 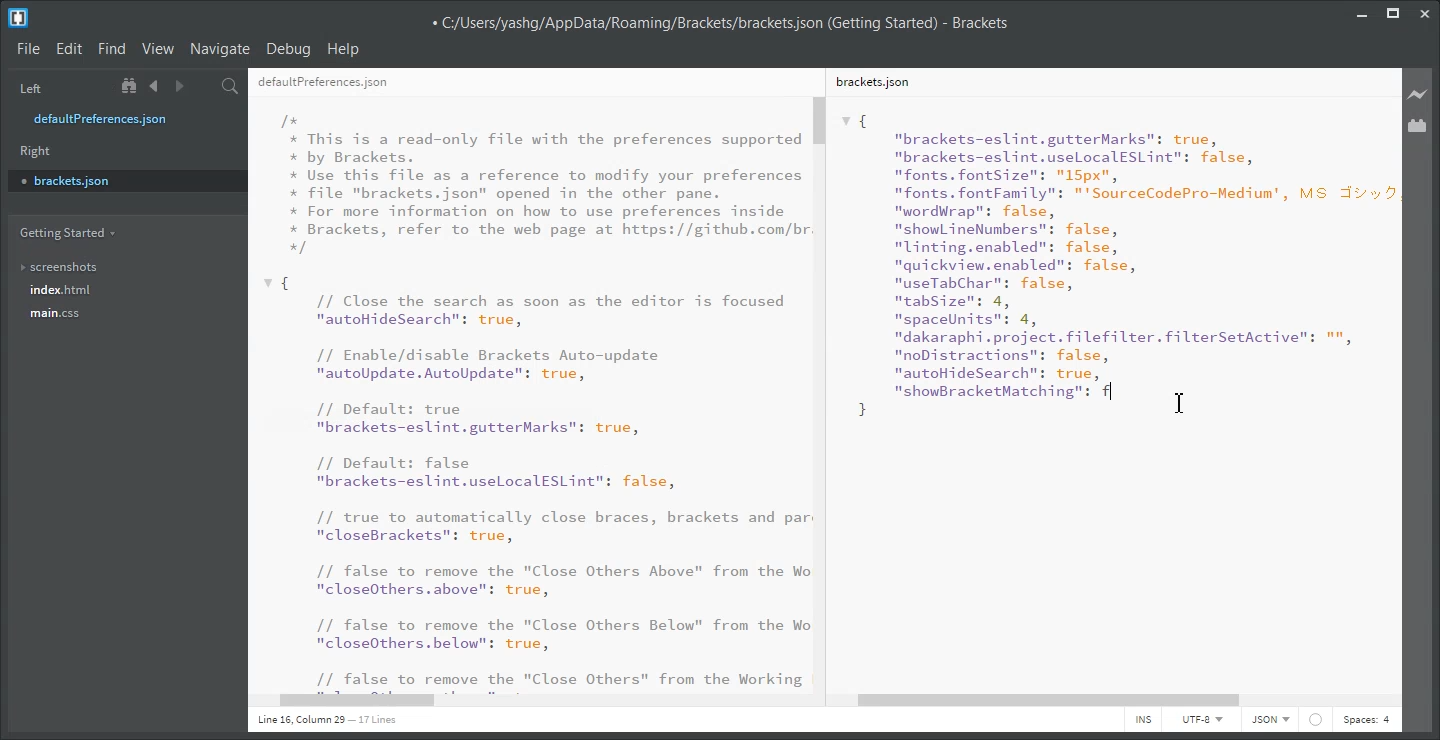 What do you see at coordinates (154, 86) in the screenshot?
I see `Navigate Backward` at bounding box center [154, 86].